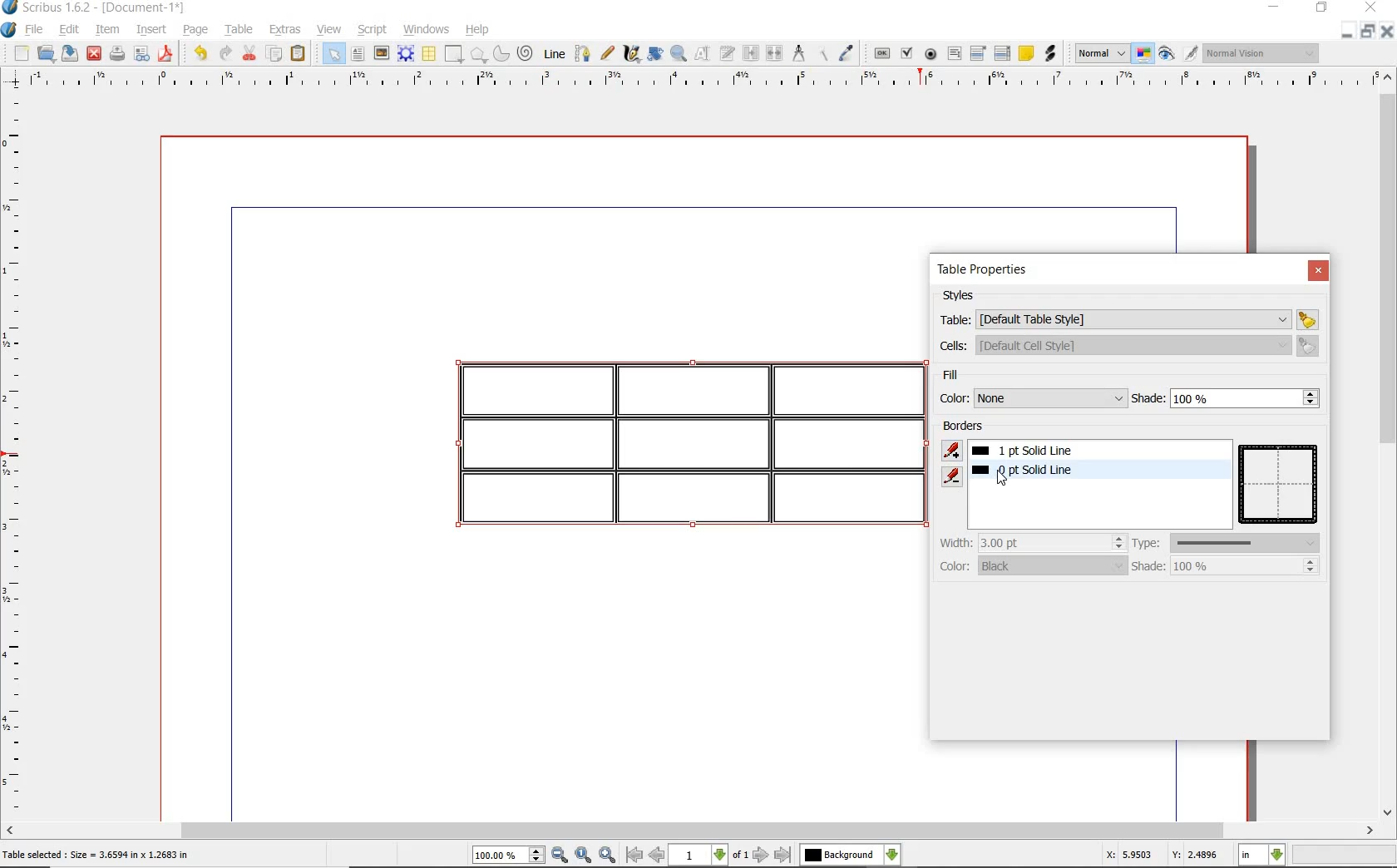 Image resolution: width=1397 pixels, height=868 pixels. What do you see at coordinates (1128, 318) in the screenshot?
I see `table` at bounding box center [1128, 318].